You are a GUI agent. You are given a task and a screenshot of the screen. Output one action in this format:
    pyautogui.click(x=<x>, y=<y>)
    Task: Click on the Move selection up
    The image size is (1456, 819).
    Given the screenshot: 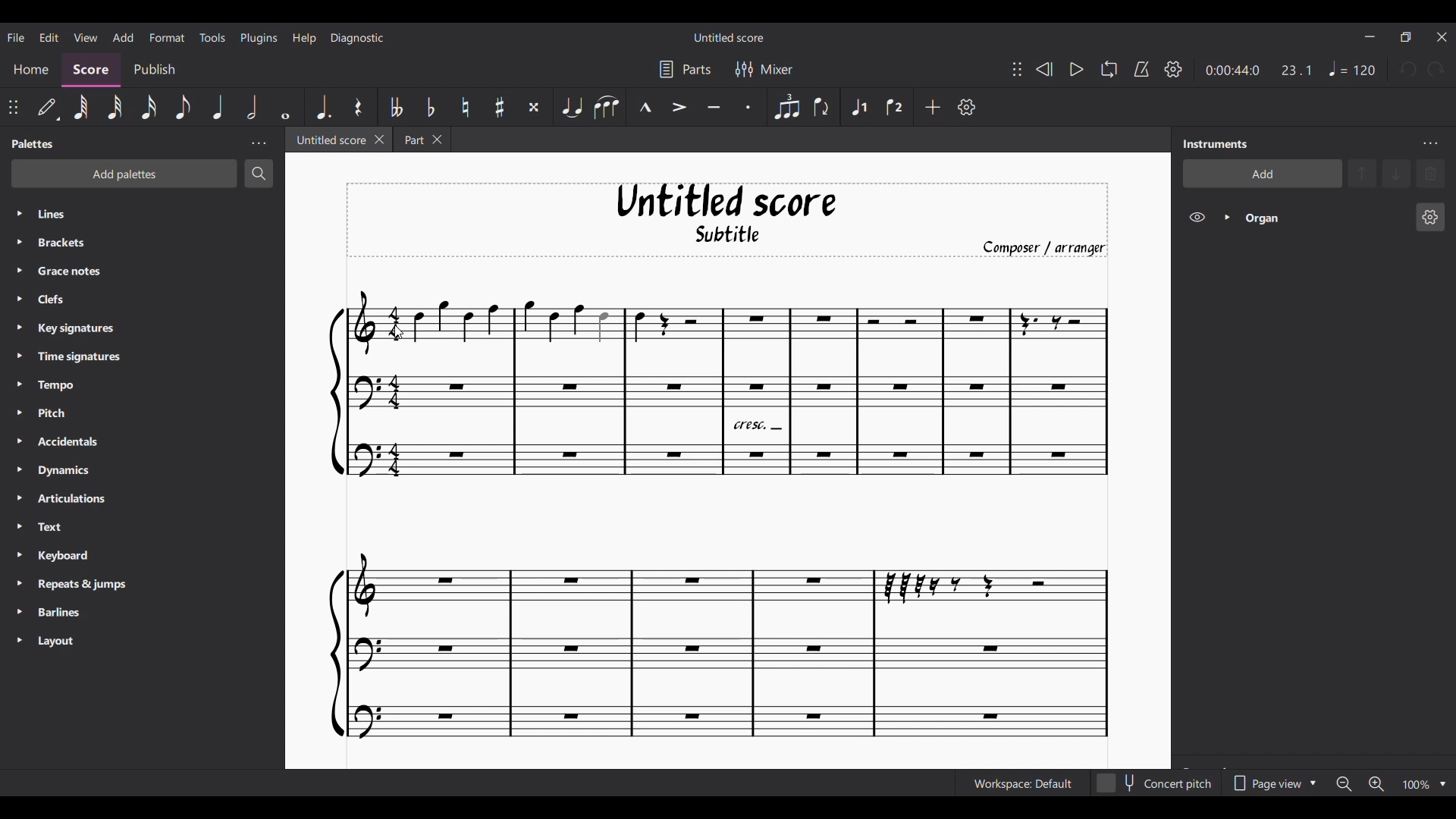 What is the action you would take?
    pyautogui.click(x=1362, y=174)
    